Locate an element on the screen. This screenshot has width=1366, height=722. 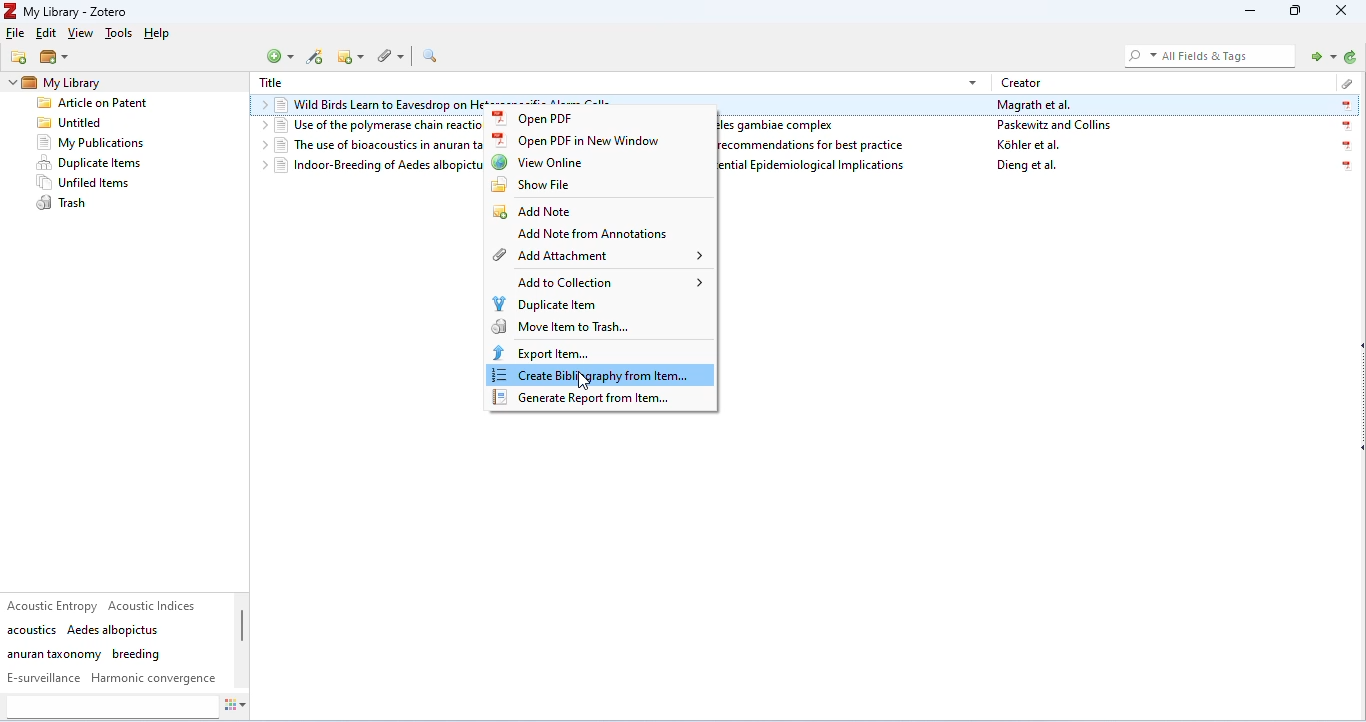
show file is located at coordinates (532, 185).